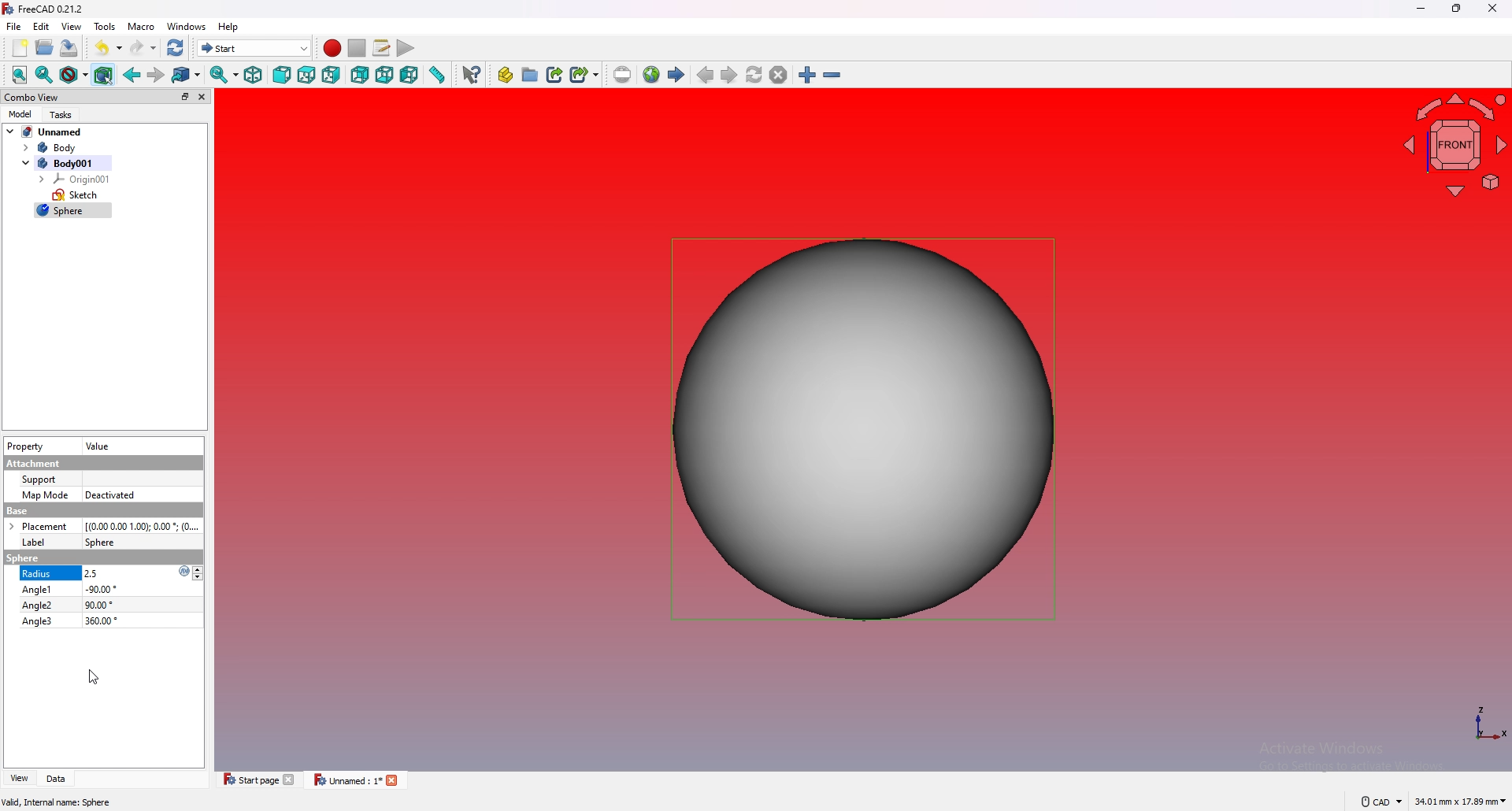 This screenshot has height=811, width=1512. Describe the element at coordinates (57, 803) in the screenshot. I see `description` at that location.